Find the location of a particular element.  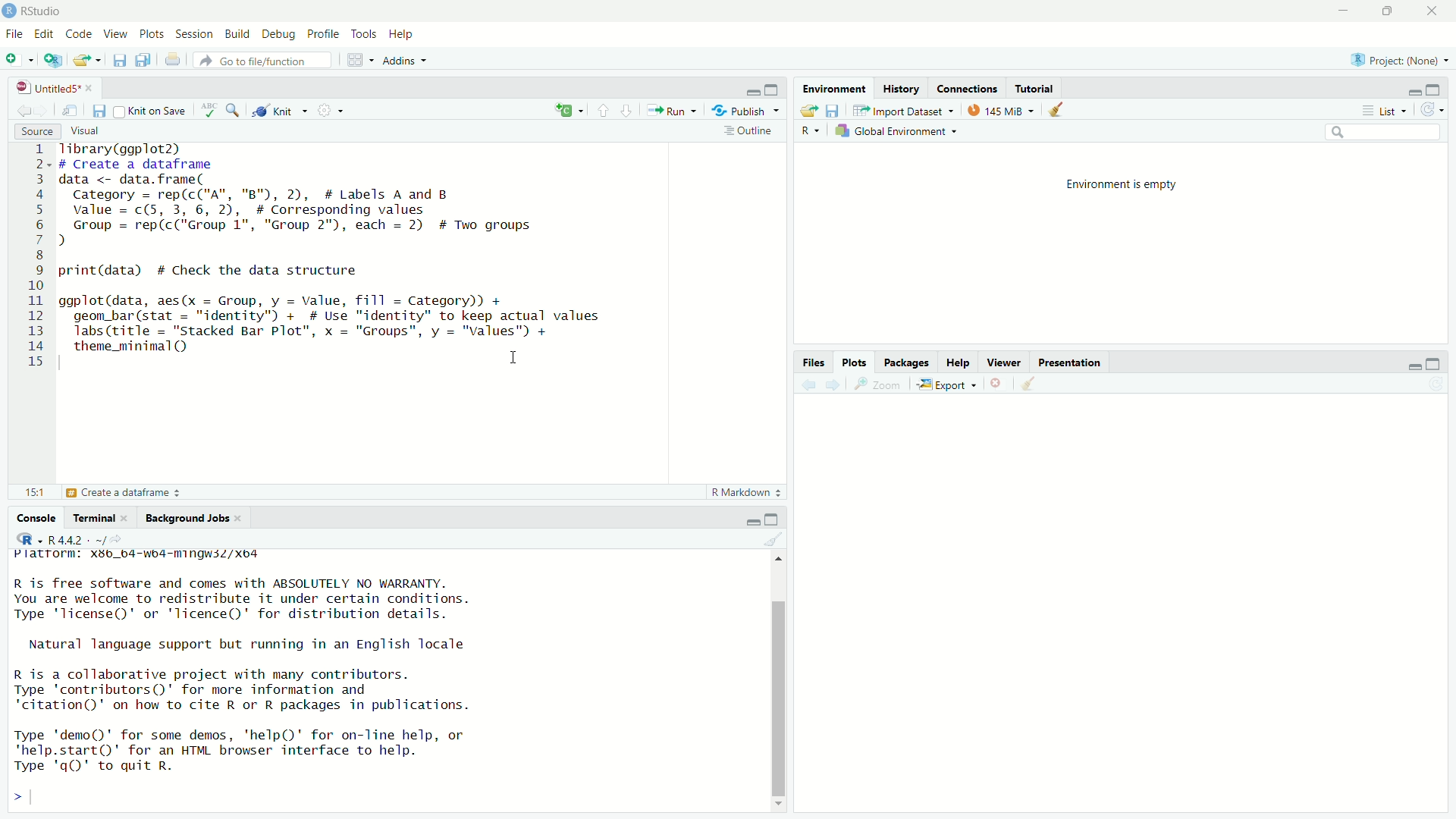

Save current document (Ctrl + S) is located at coordinates (121, 60).